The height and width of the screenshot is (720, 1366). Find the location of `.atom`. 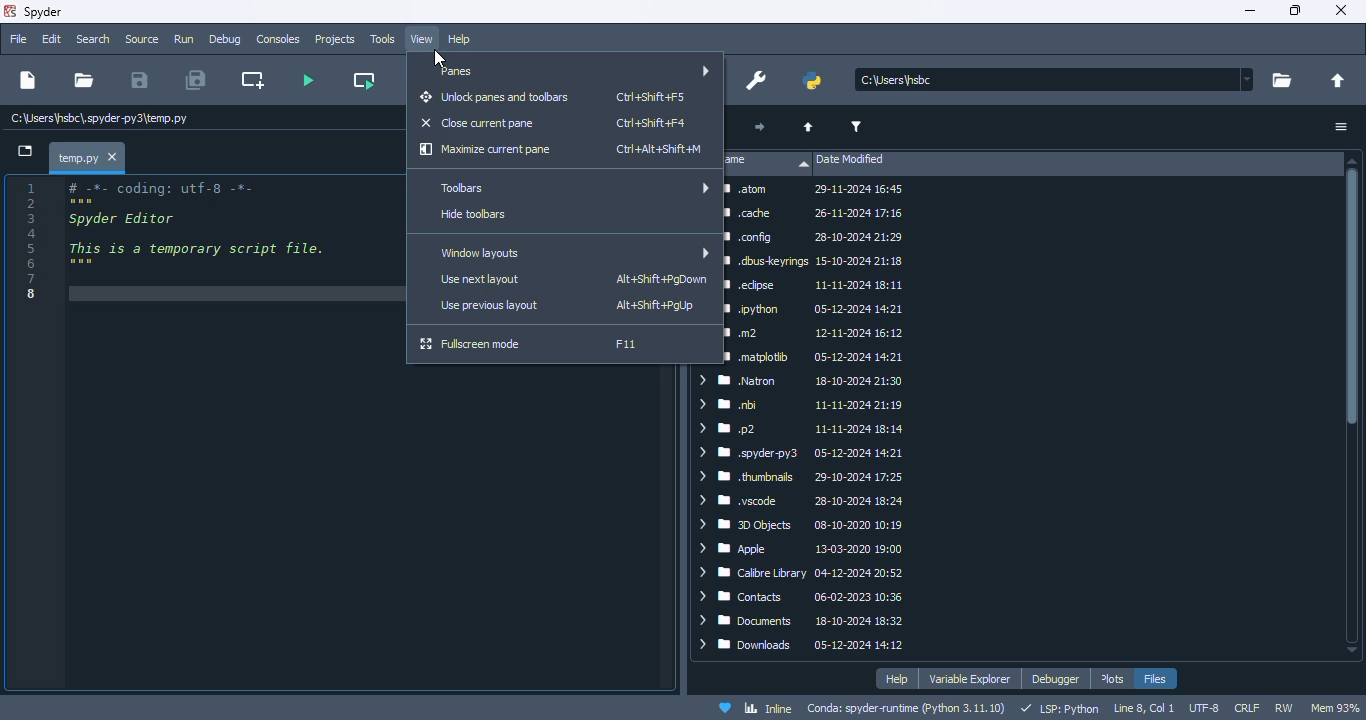

.atom is located at coordinates (818, 191).